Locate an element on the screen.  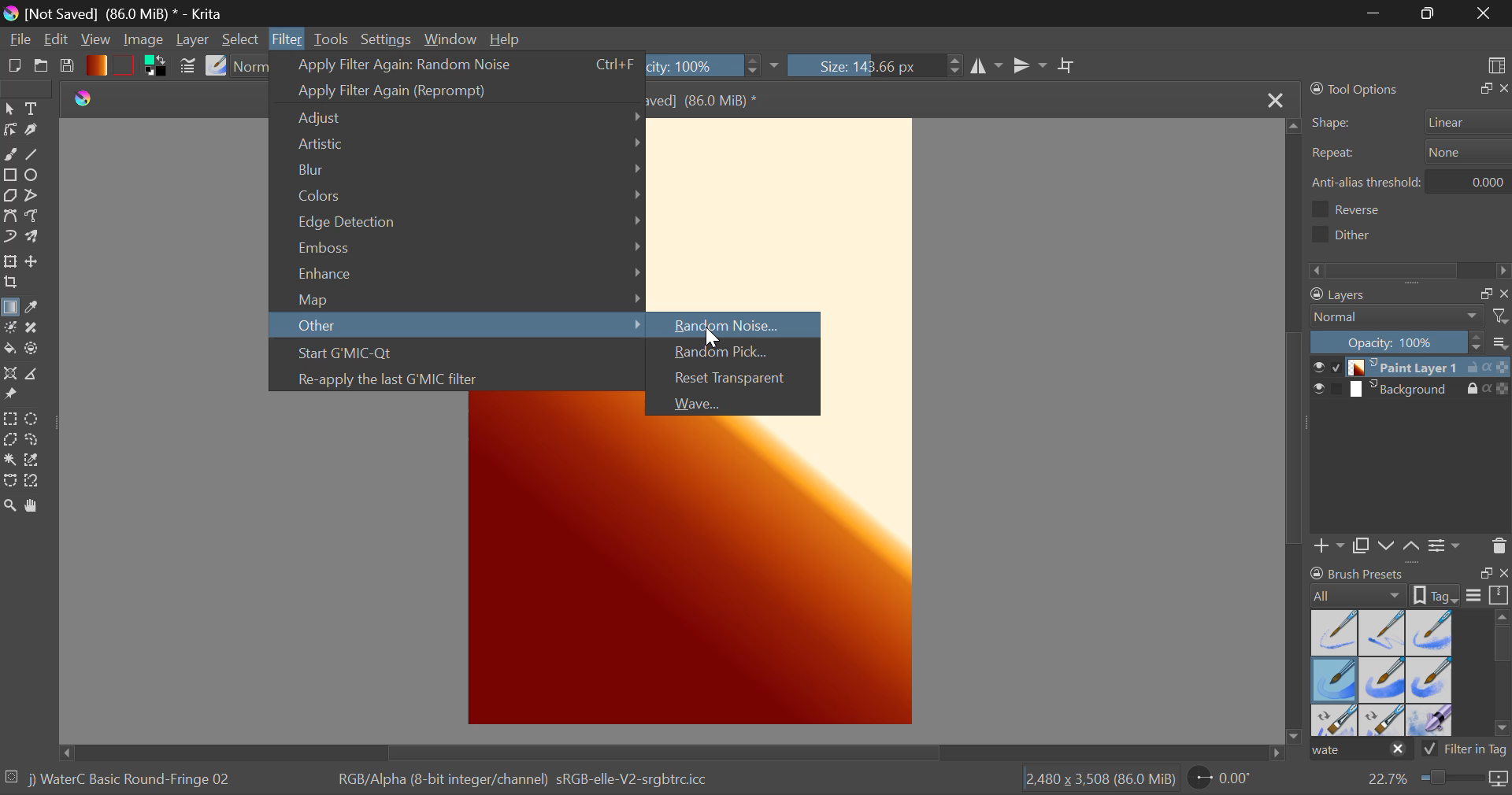
Image is located at coordinates (146, 42).